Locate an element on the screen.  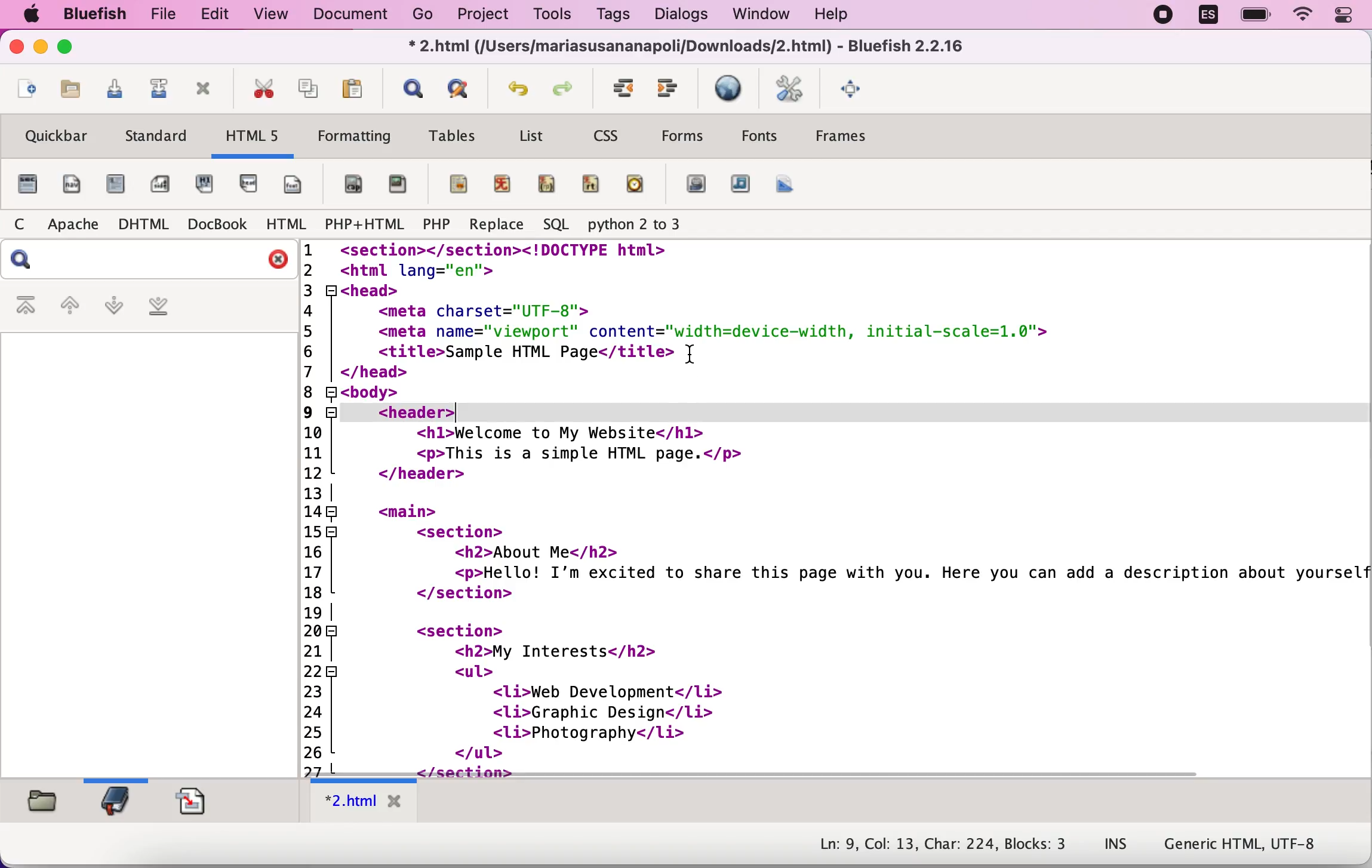
nav is located at coordinates (75, 184).